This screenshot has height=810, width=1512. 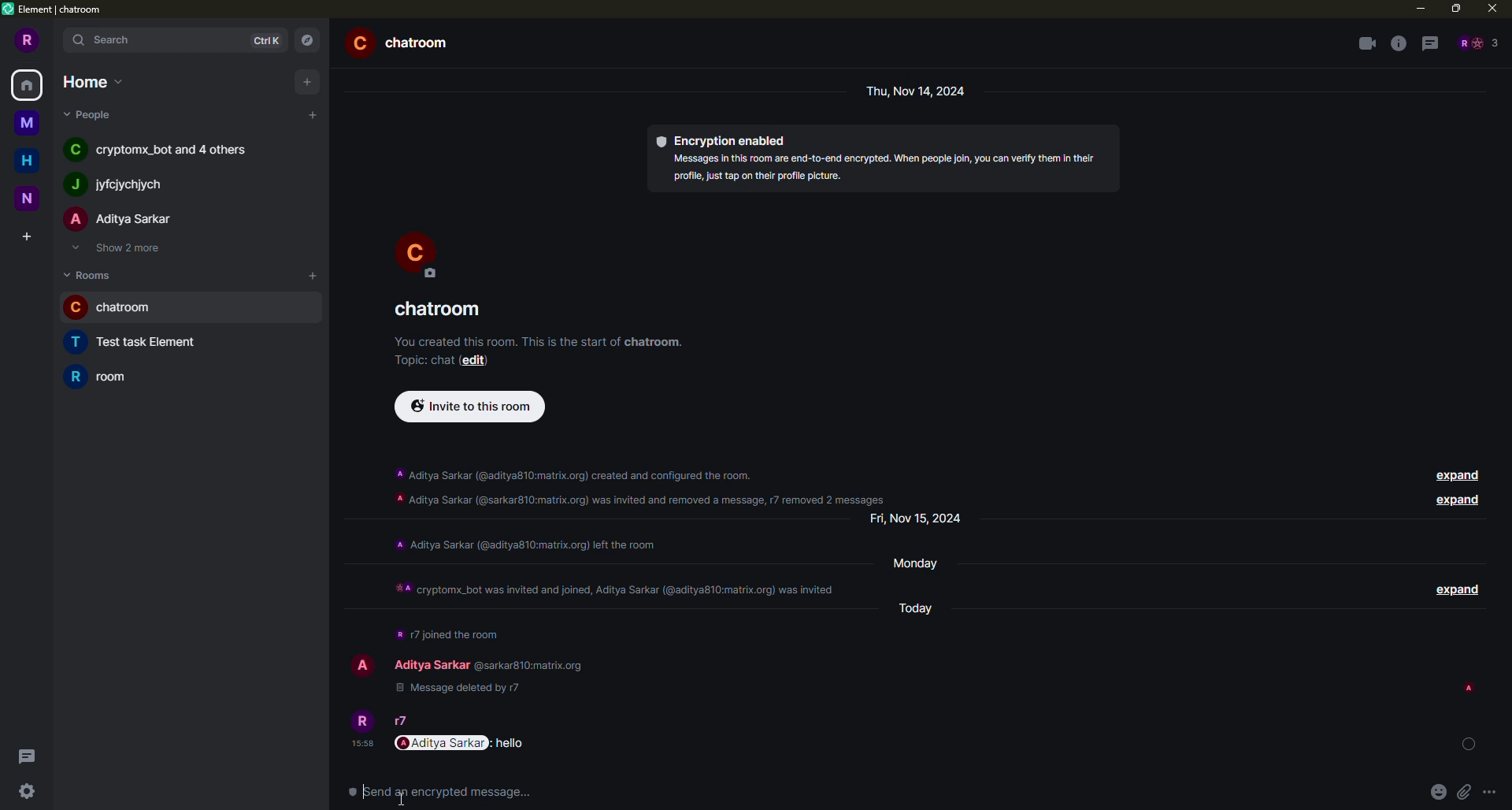 What do you see at coordinates (424, 251) in the screenshot?
I see `profile` at bounding box center [424, 251].